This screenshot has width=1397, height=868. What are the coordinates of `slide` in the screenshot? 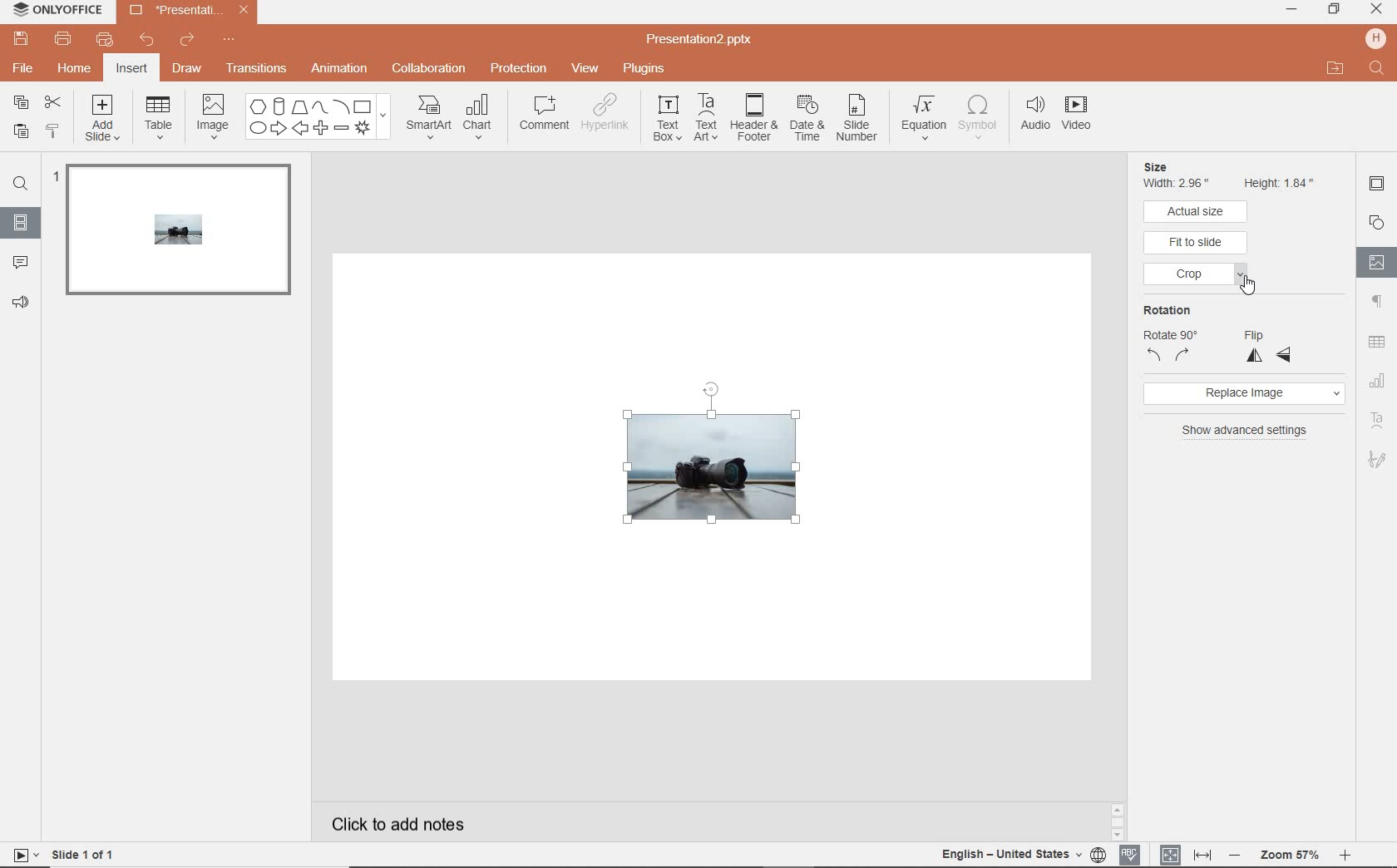 It's located at (175, 236).